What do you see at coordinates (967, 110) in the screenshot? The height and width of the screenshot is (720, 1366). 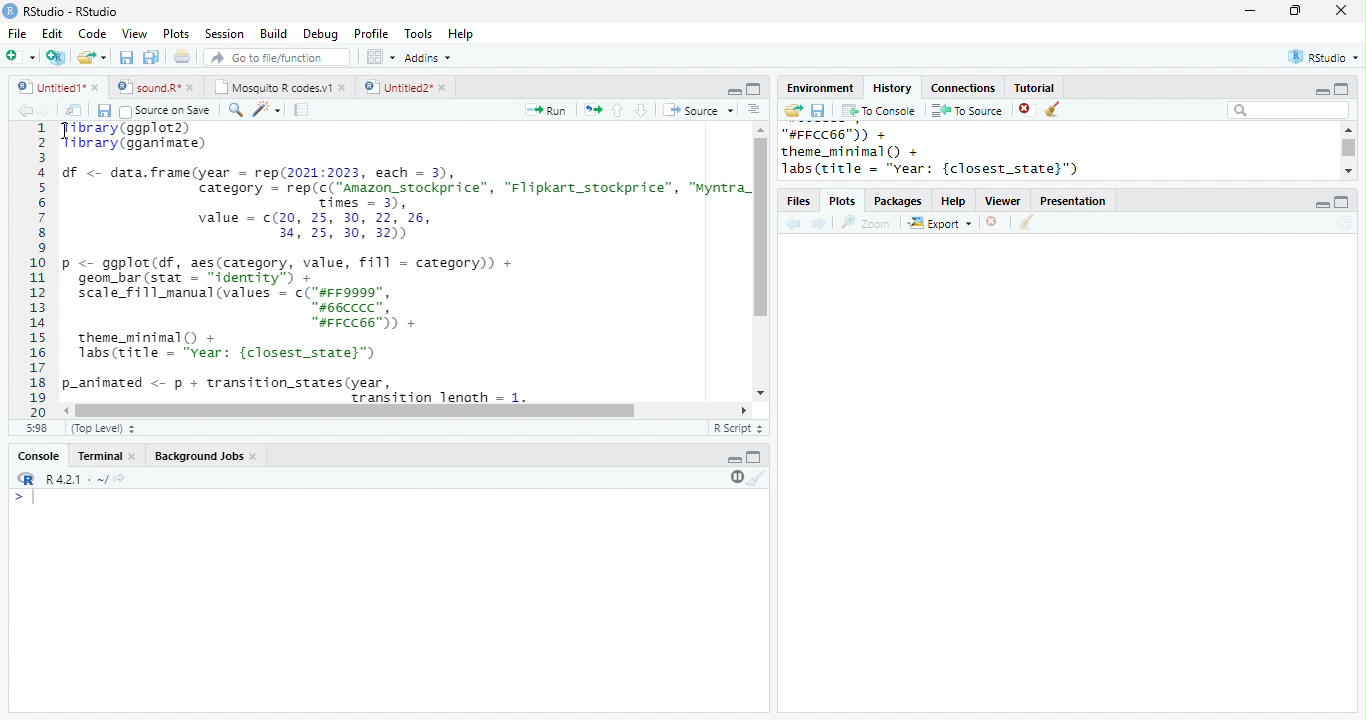 I see `To Source` at bounding box center [967, 110].